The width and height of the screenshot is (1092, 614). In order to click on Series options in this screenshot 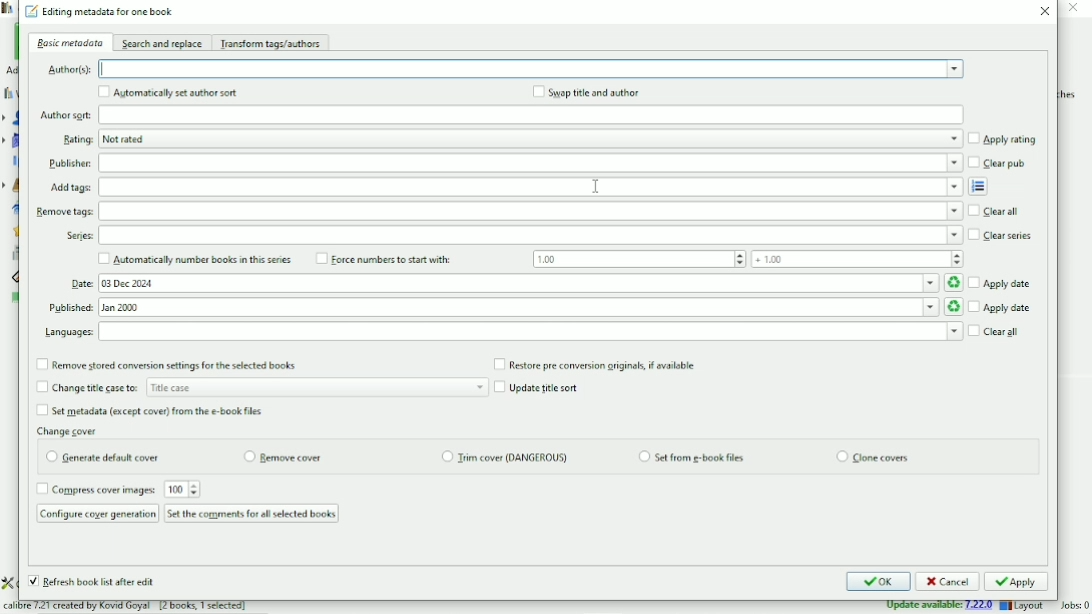, I will do `click(532, 236)`.